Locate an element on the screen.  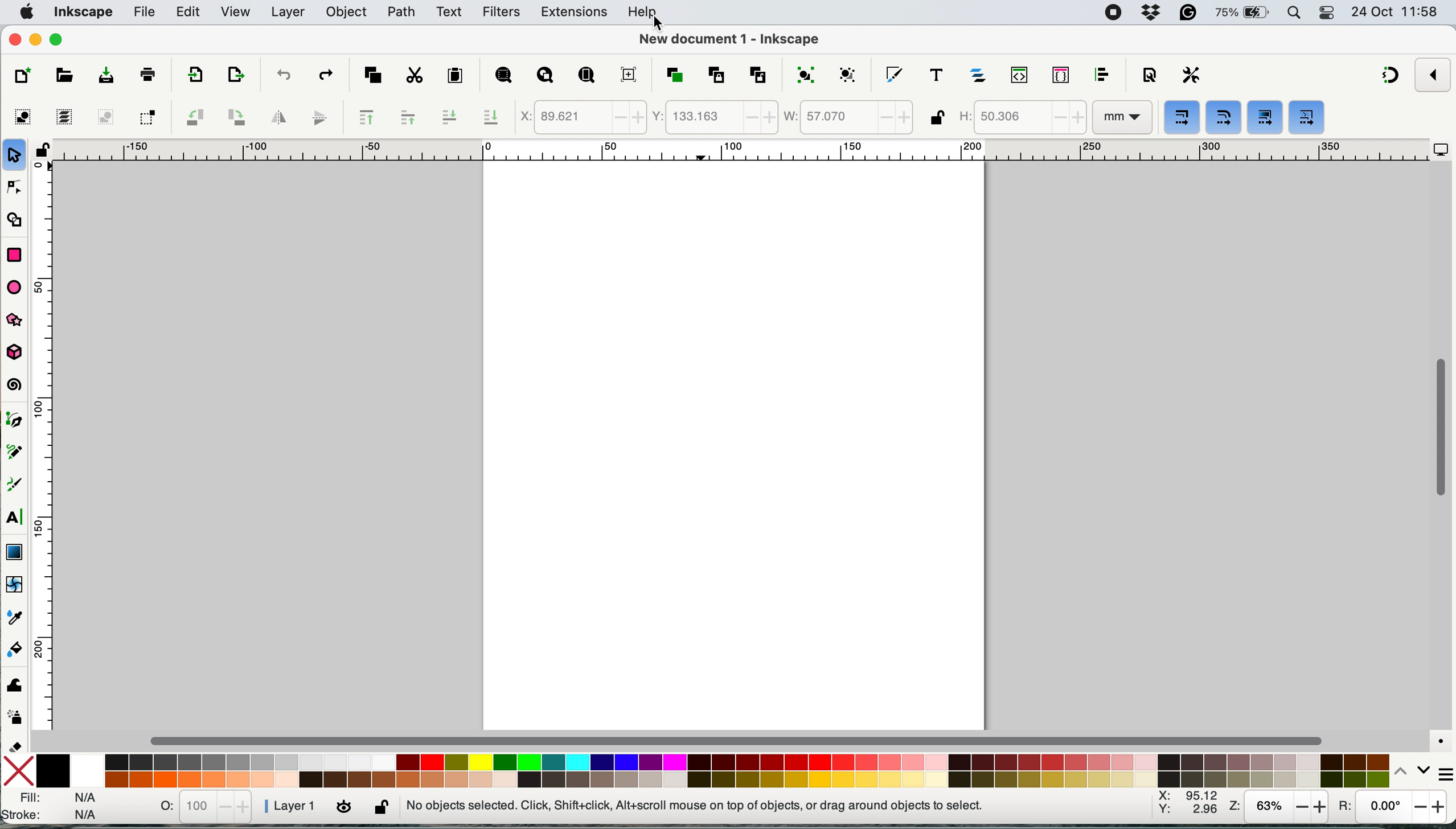
tweak tool is located at coordinates (15, 682).